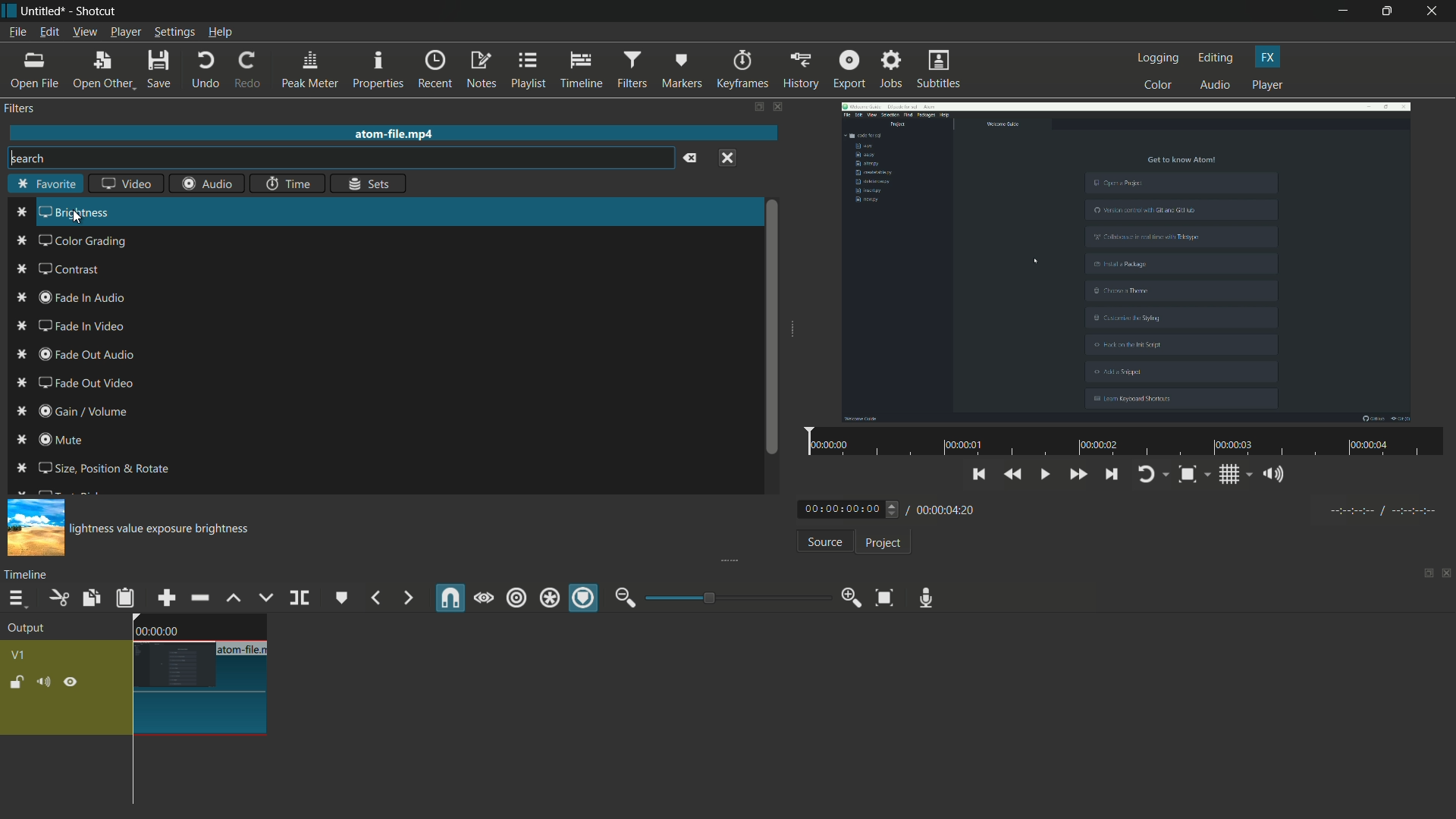 This screenshot has width=1456, height=819. Describe the element at coordinates (451, 598) in the screenshot. I see `snap` at that location.